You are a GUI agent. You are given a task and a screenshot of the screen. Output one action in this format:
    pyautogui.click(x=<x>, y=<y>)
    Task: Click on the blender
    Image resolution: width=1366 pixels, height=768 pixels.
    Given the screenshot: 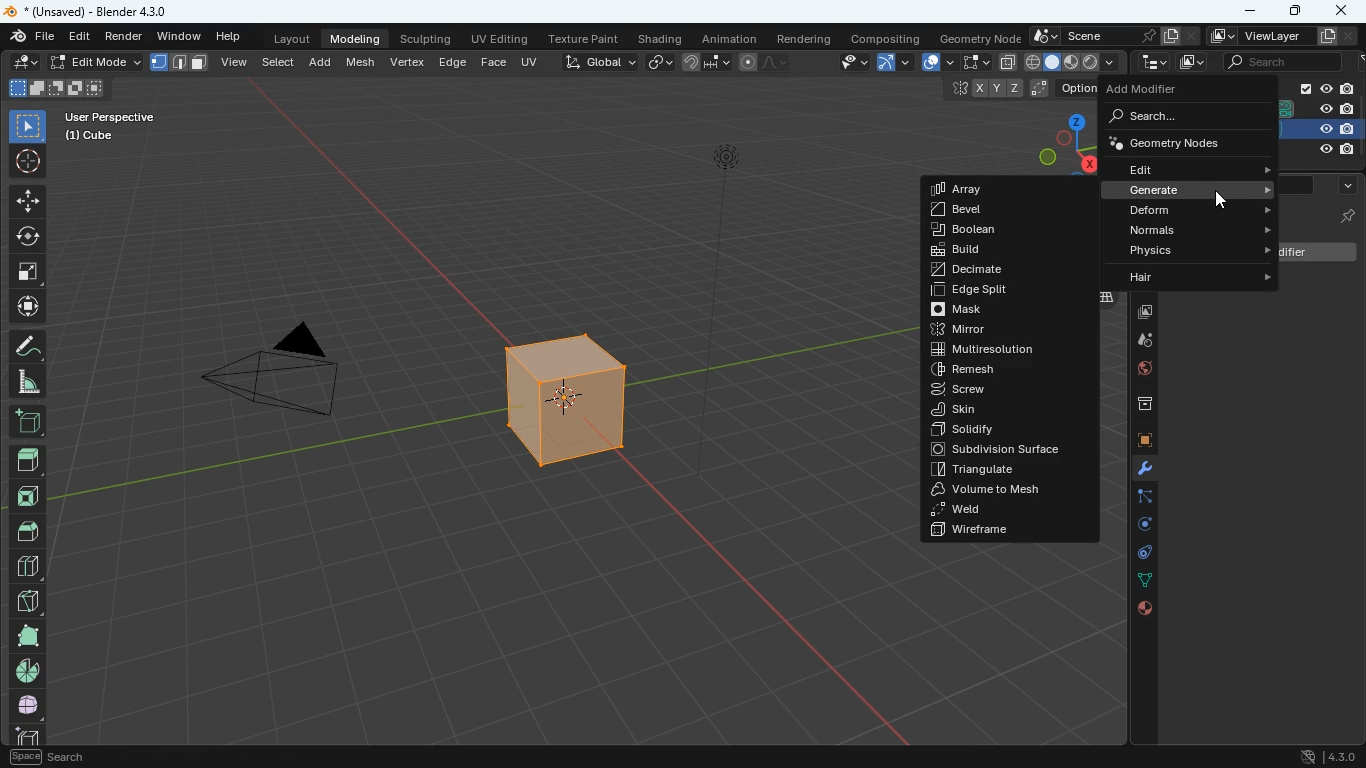 What is the action you would take?
    pyautogui.click(x=87, y=11)
    